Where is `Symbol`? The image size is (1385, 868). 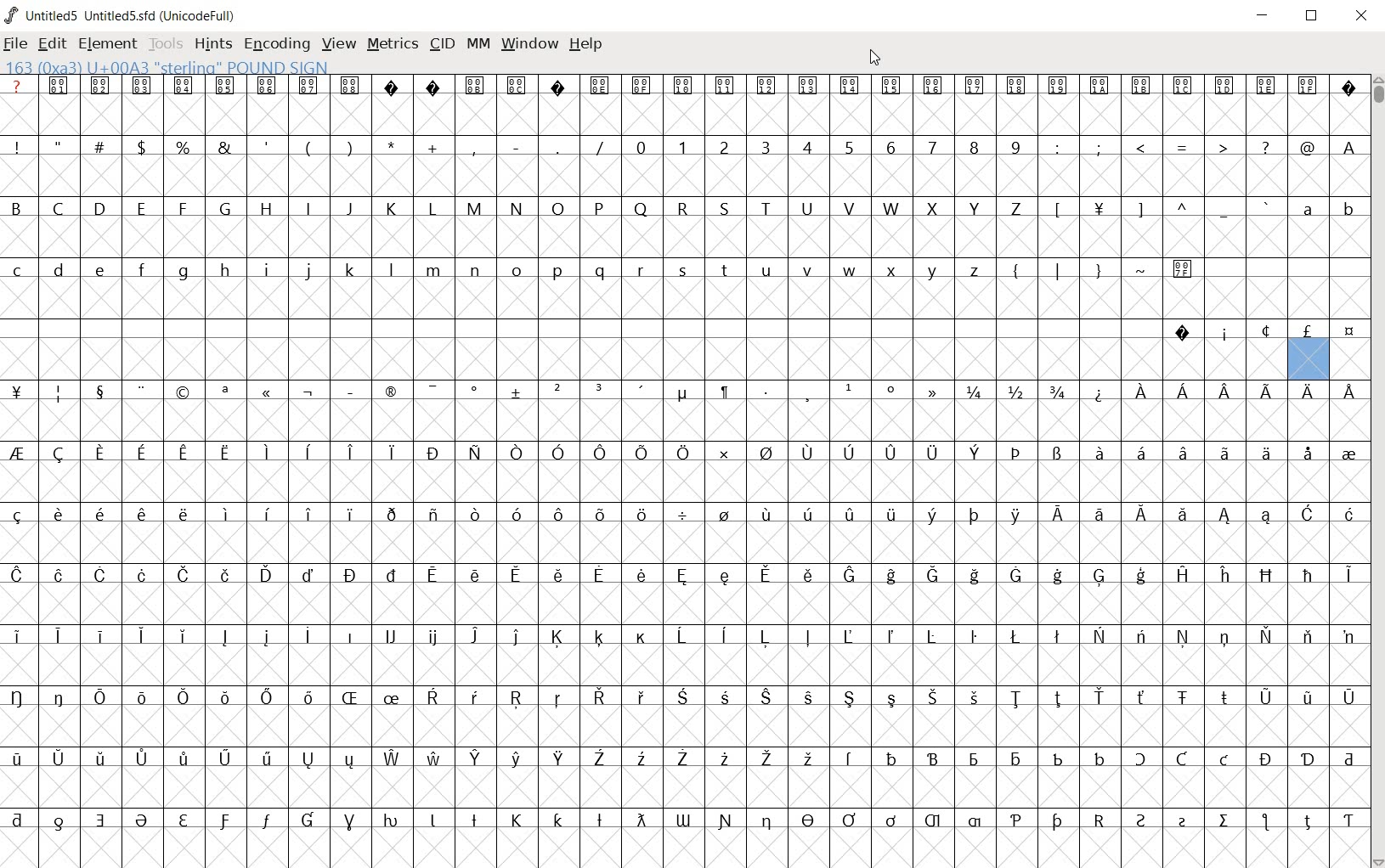
Symbol is located at coordinates (223, 637).